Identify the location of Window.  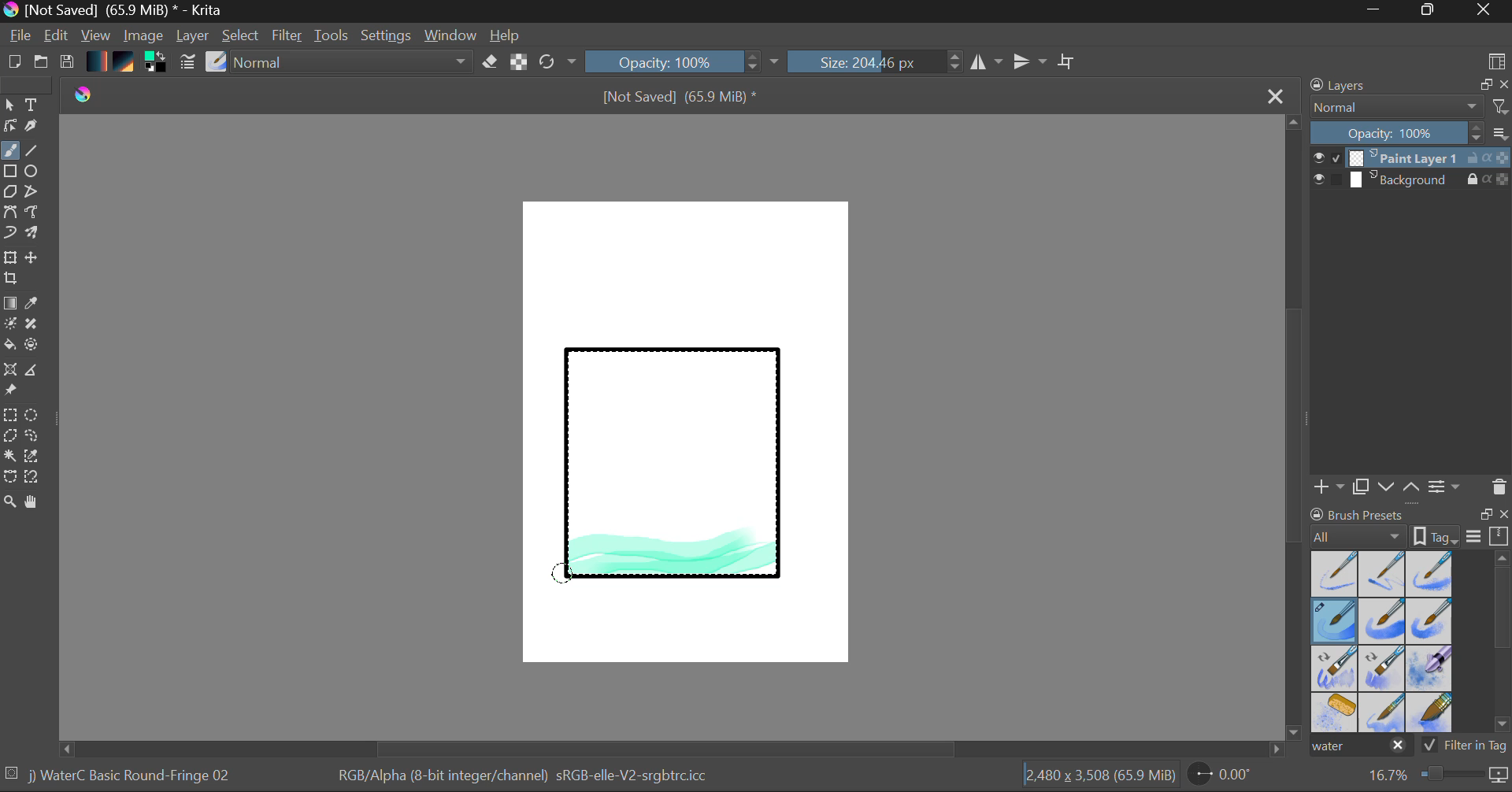
(453, 35).